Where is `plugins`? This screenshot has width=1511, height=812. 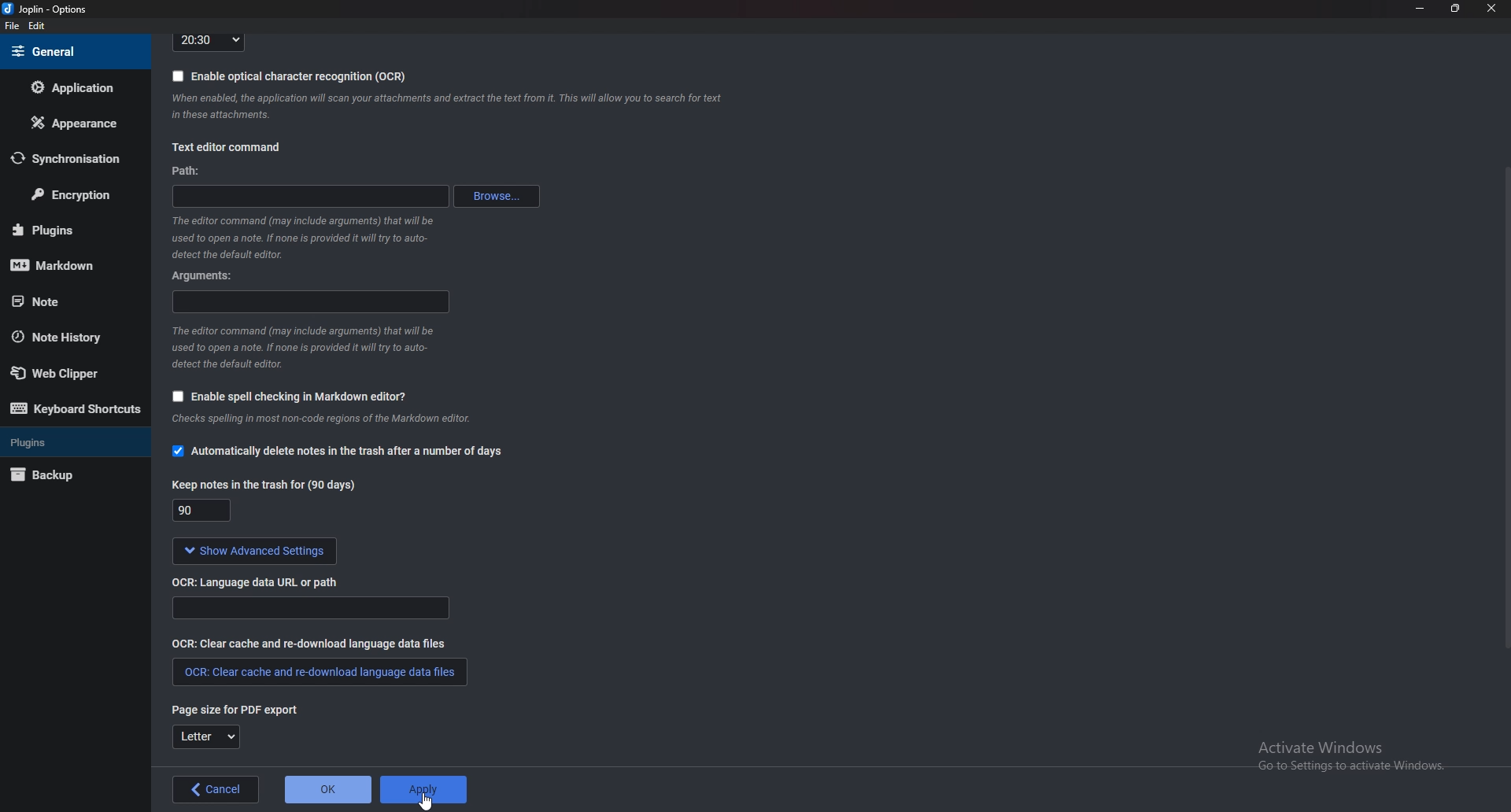 plugins is located at coordinates (71, 441).